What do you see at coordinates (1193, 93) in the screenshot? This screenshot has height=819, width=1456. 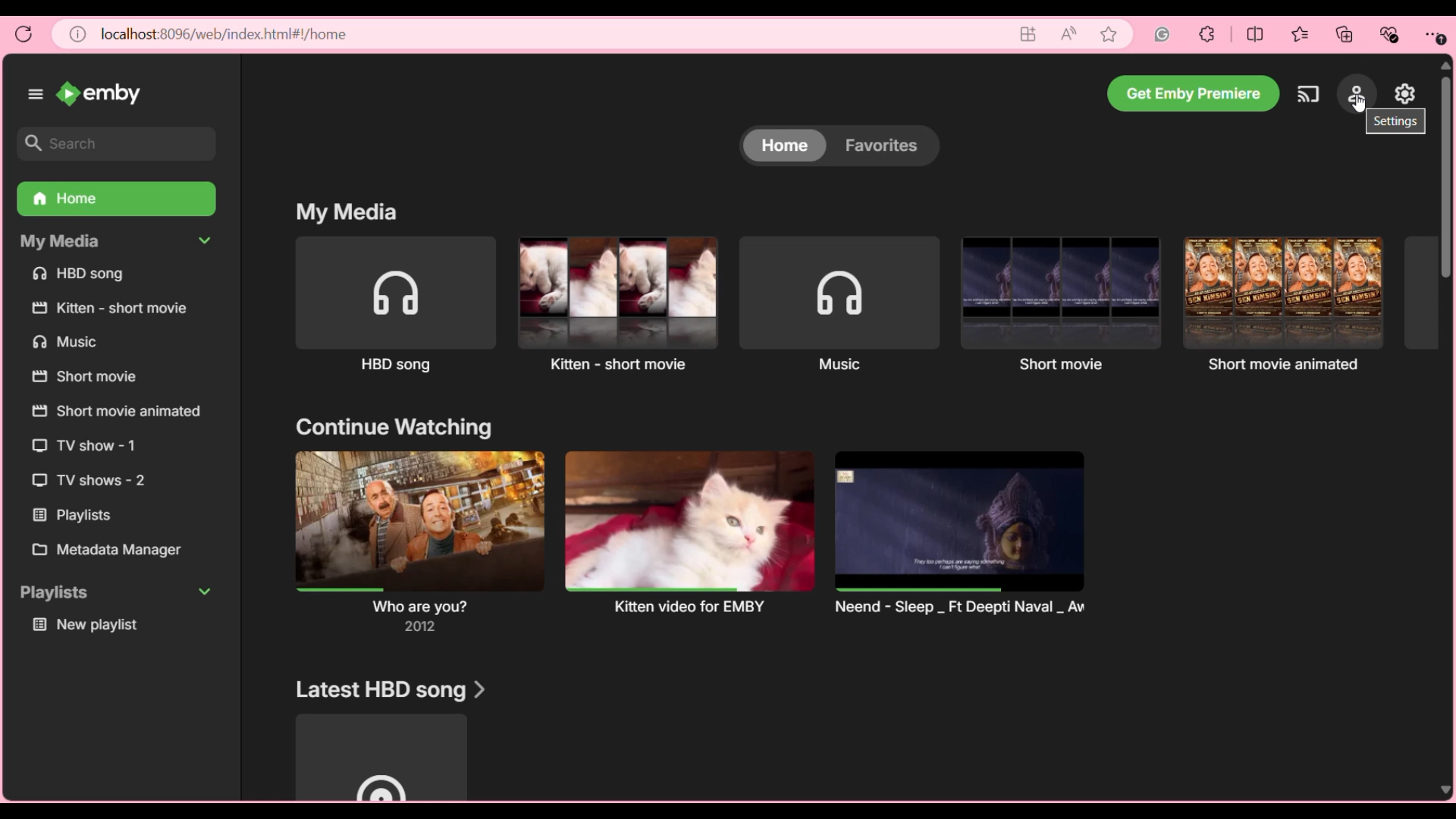 I see `Get Emby premiere` at bounding box center [1193, 93].